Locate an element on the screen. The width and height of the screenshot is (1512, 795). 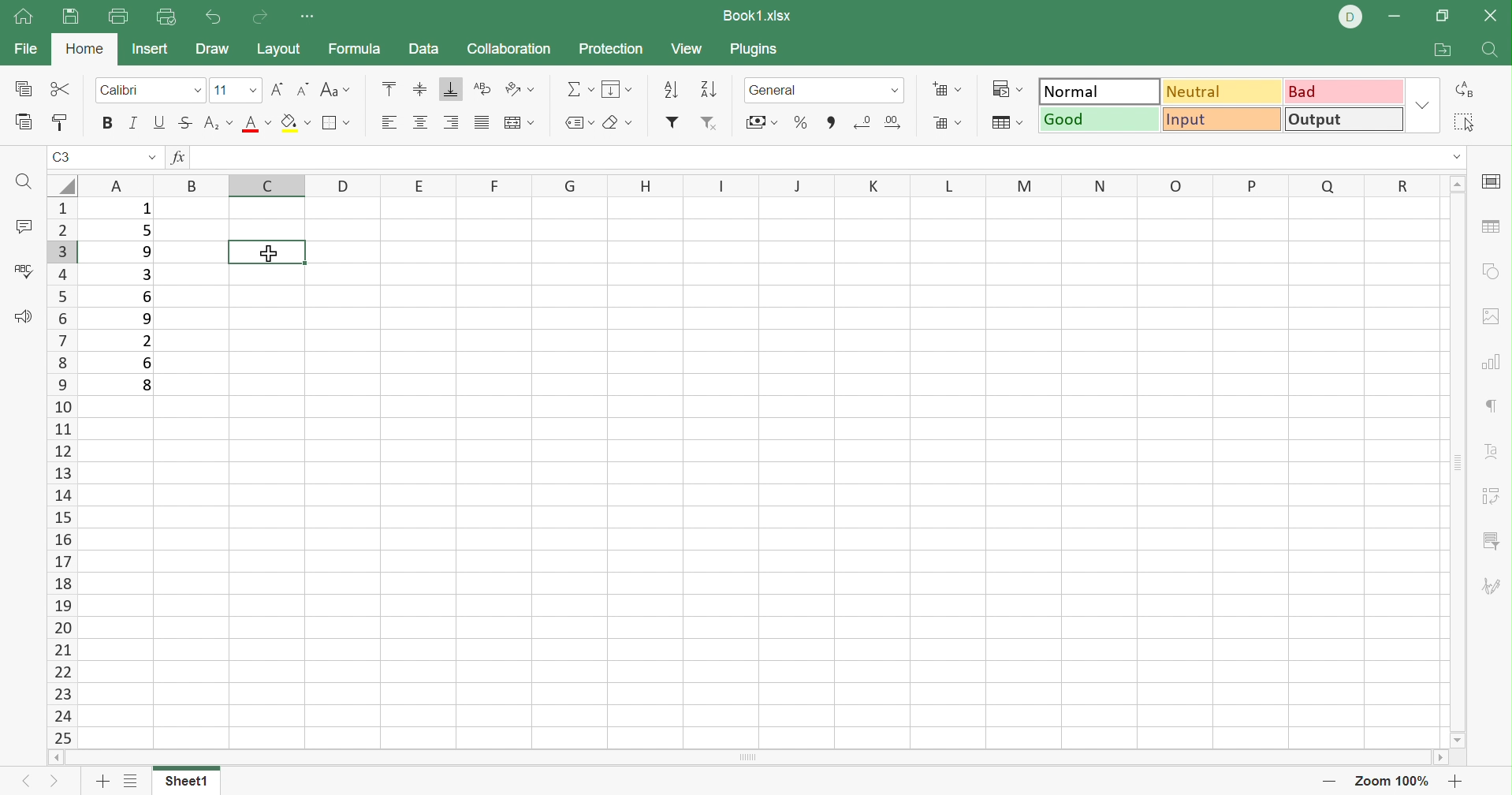
Bad is located at coordinates (1342, 90).